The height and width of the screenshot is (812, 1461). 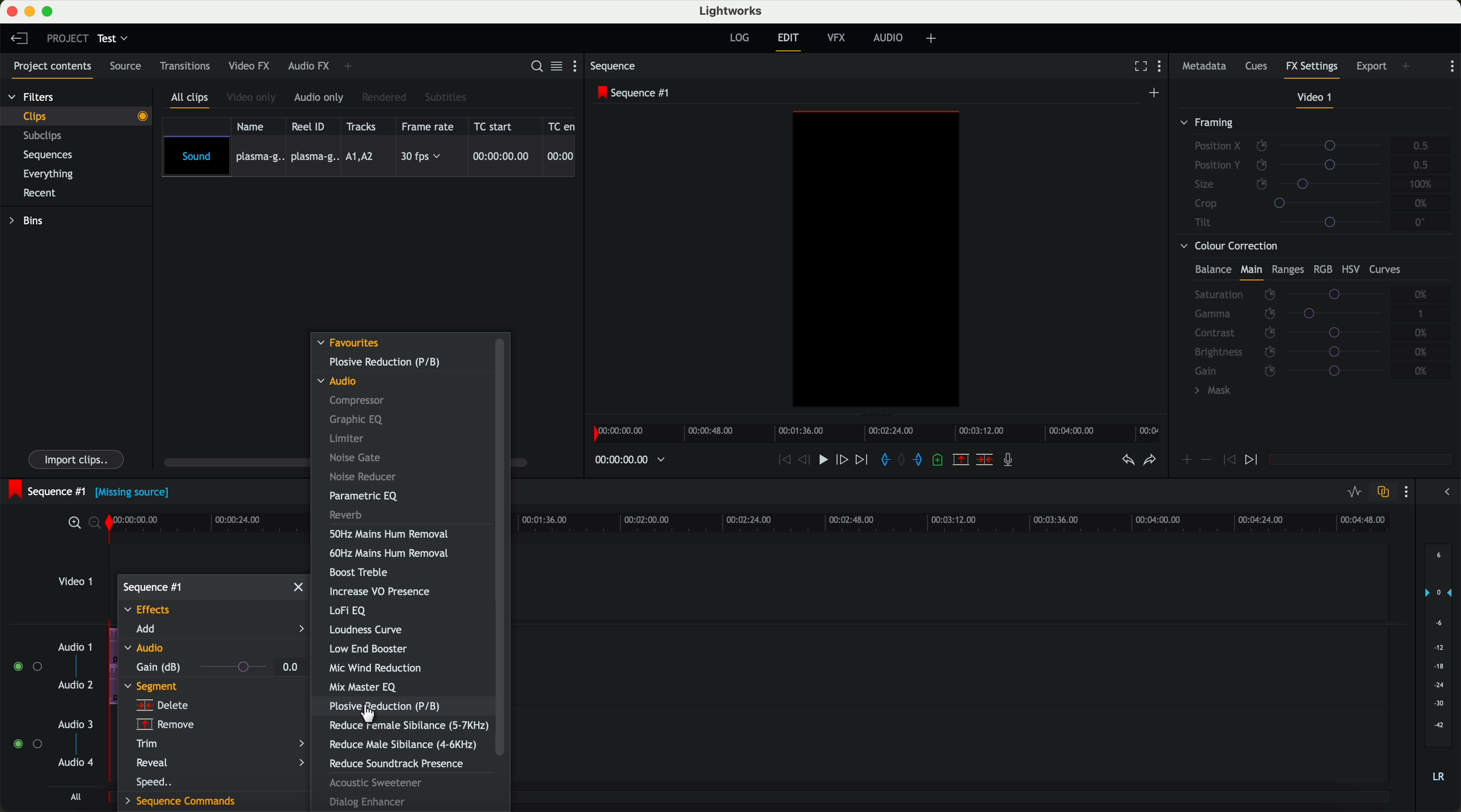 What do you see at coordinates (386, 97) in the screenshot?
I see `rendered` at bounding box center [386, 97].